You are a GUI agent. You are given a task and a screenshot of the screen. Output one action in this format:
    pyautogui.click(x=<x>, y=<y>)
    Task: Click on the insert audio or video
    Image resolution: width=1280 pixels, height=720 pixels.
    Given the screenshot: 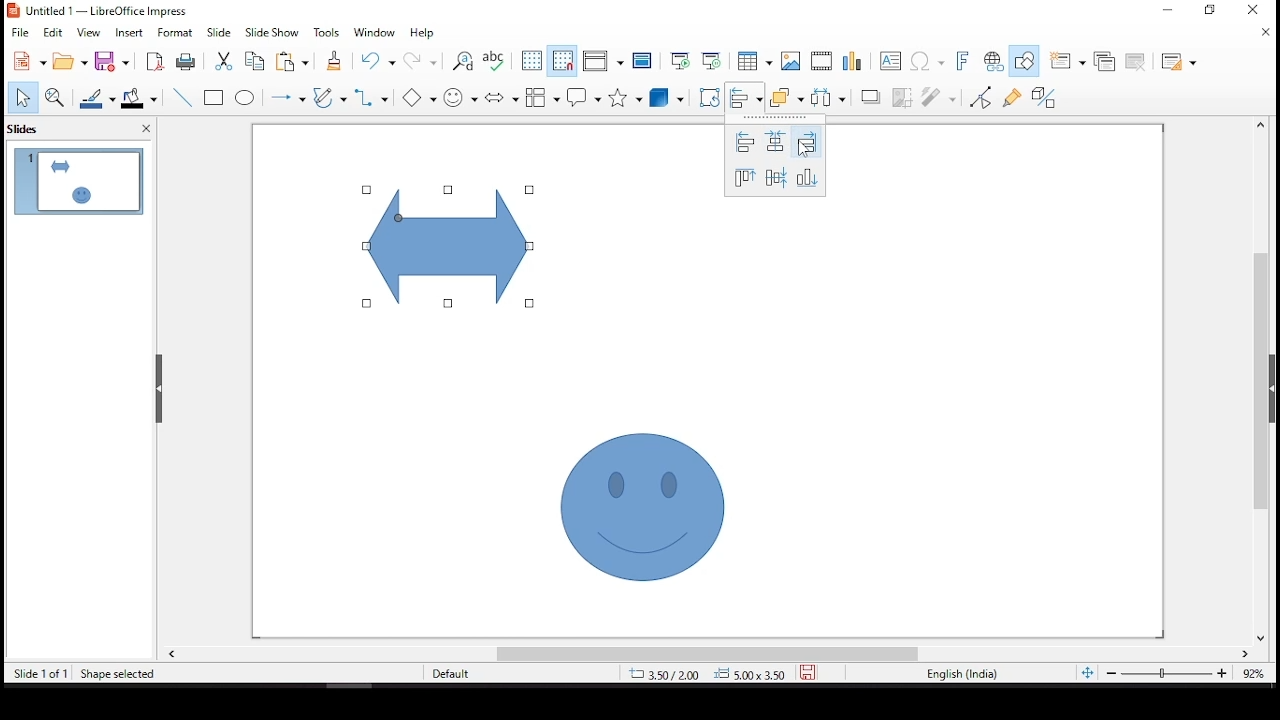 What is the action you would take?
    pyautogui.click(x=821, y=62)
    